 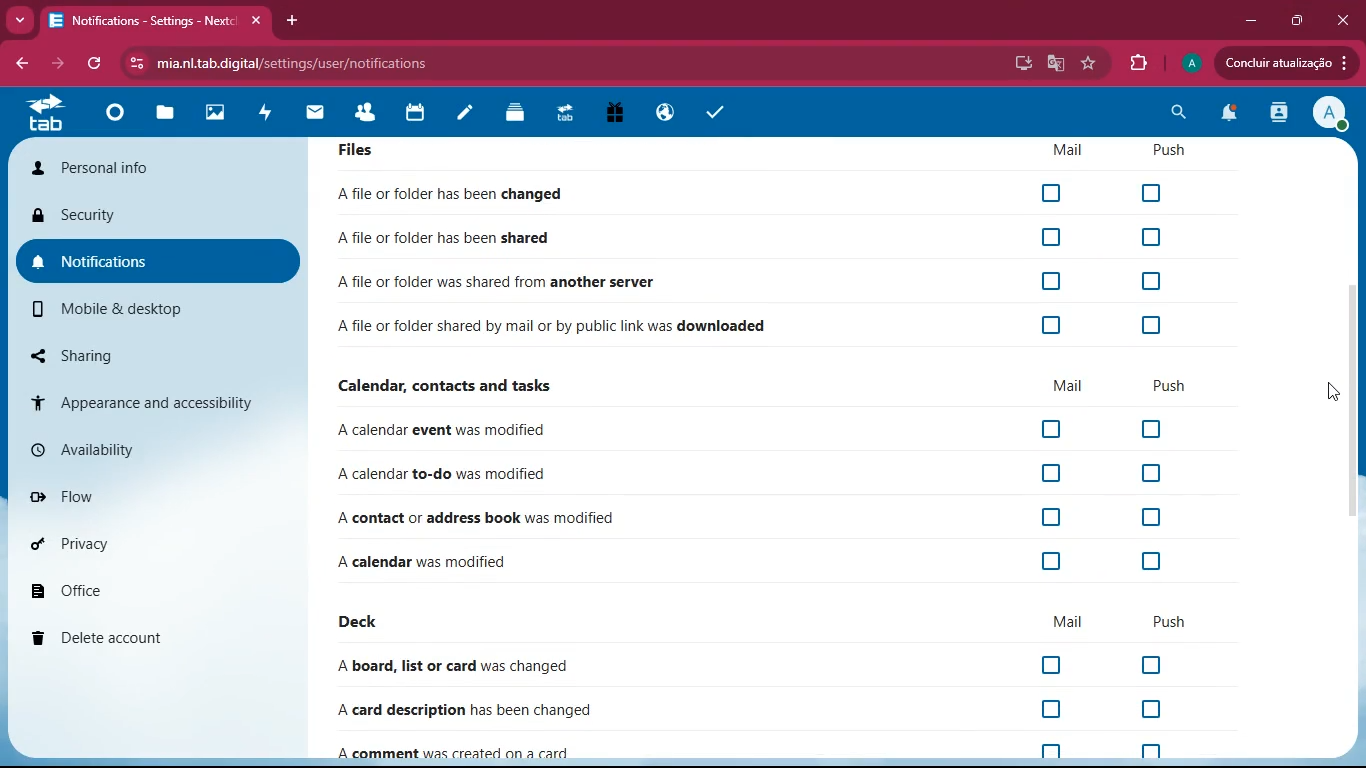 What do you see at coordinates (1331, 114) in the screenshot?
I see `View Profile` at bounding box center [1331, 114].